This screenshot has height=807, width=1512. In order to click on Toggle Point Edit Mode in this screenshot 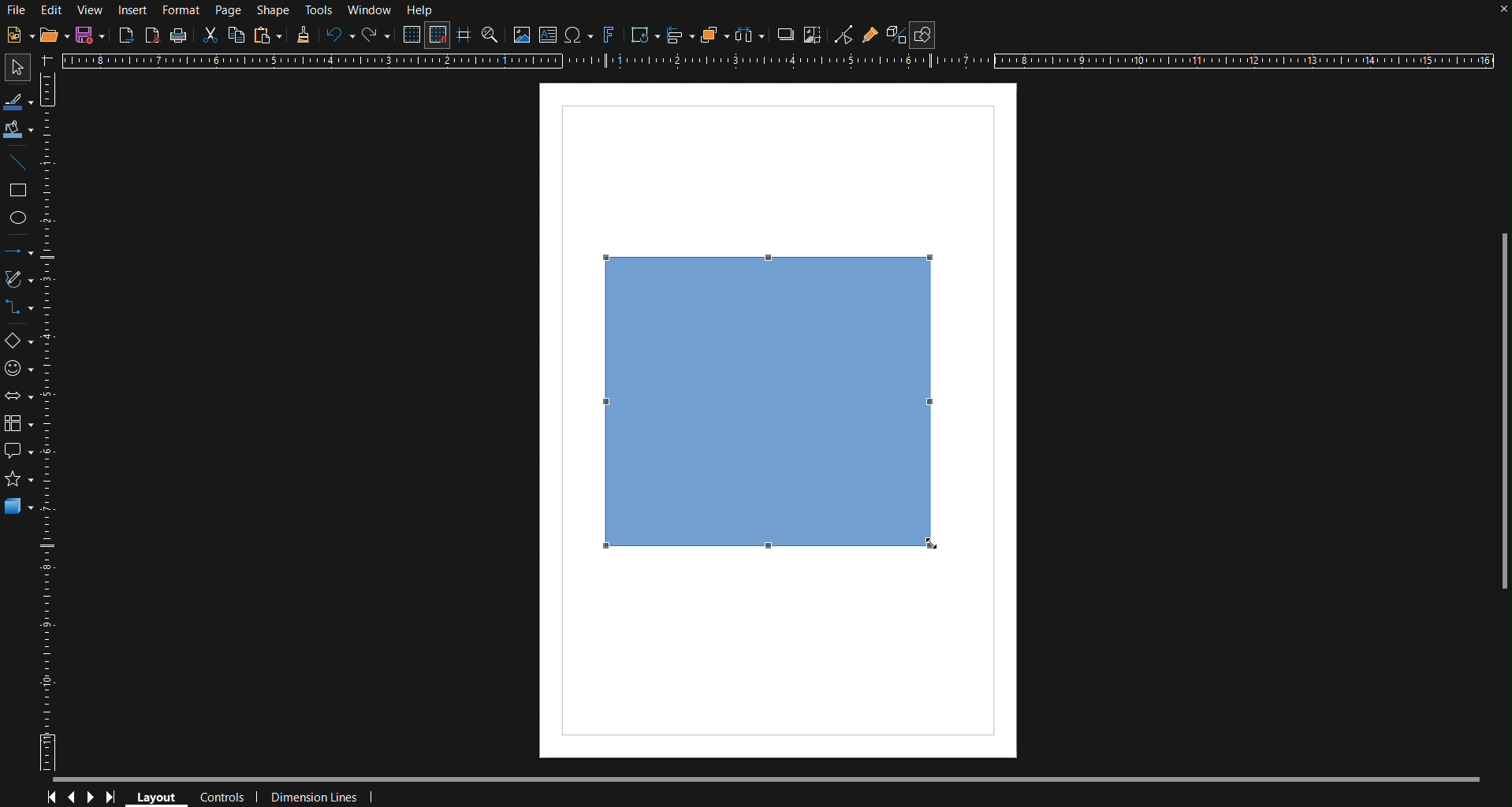, I will do `click(844, 35)`.